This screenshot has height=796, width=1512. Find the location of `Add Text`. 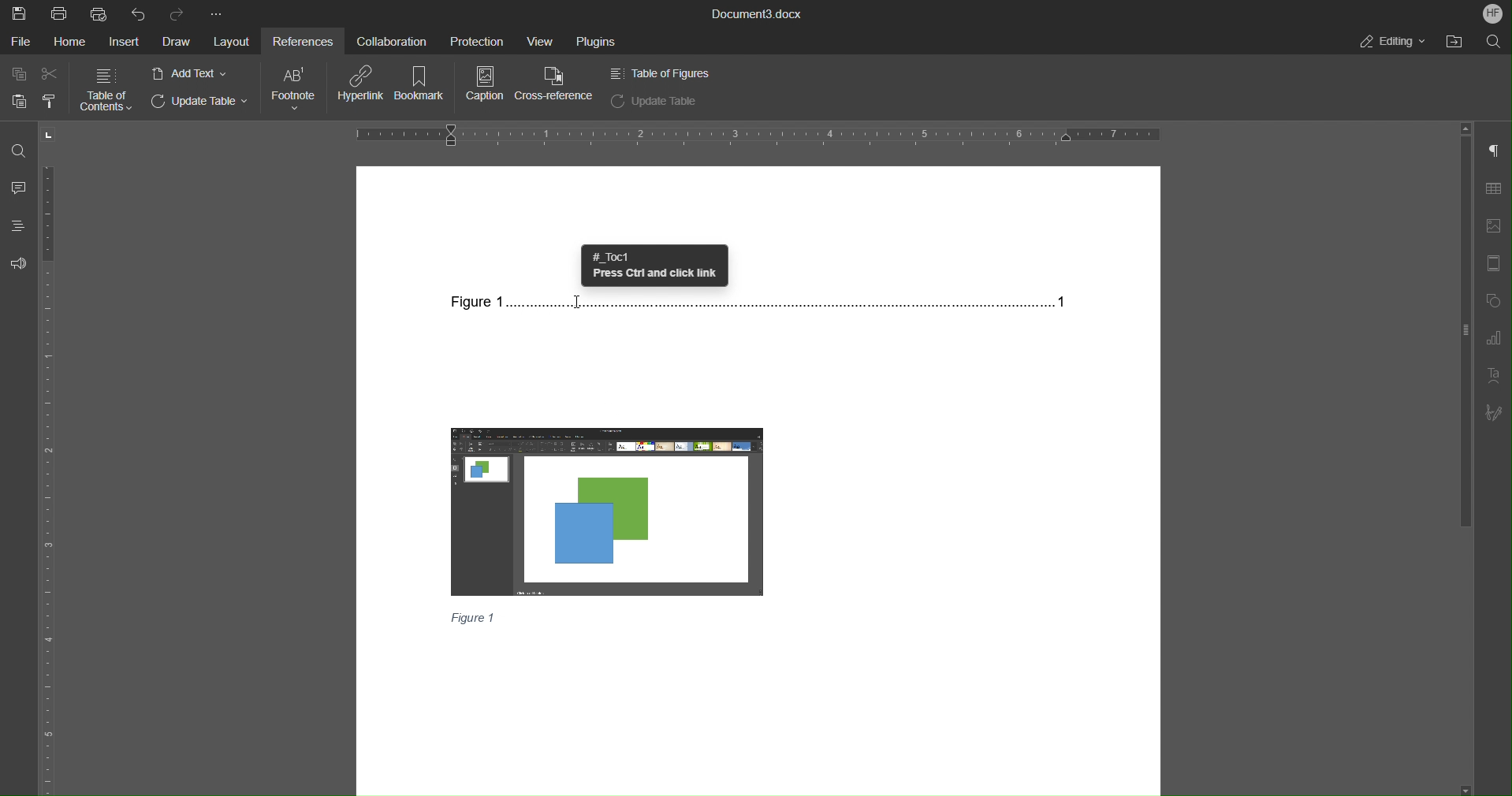

Add Text is located at coordinates (191, 73).